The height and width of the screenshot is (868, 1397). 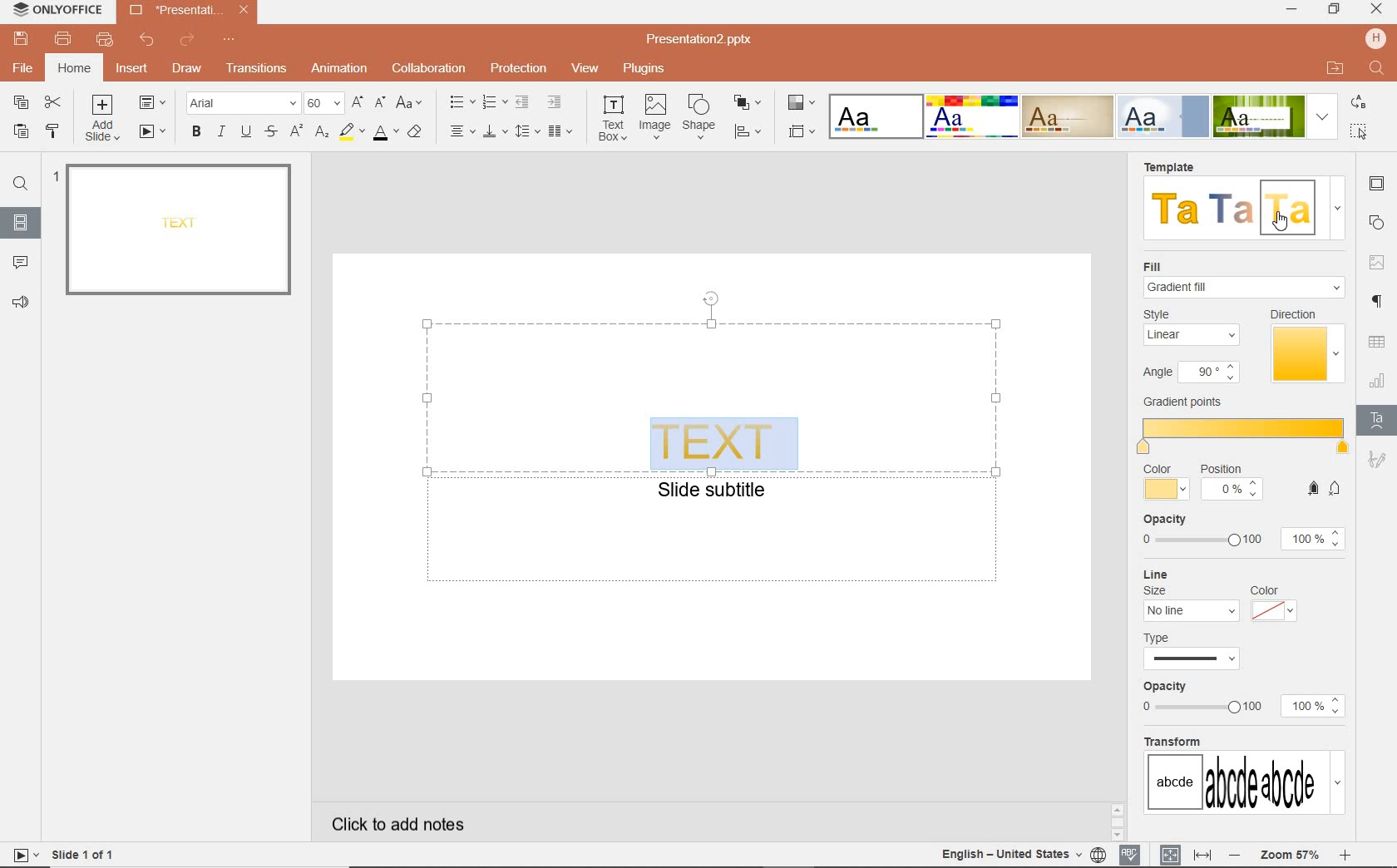 What do you see at coordinates (493, 104) in the screenshot?
I see `NUMBERING` at bounding box center [493, 104].